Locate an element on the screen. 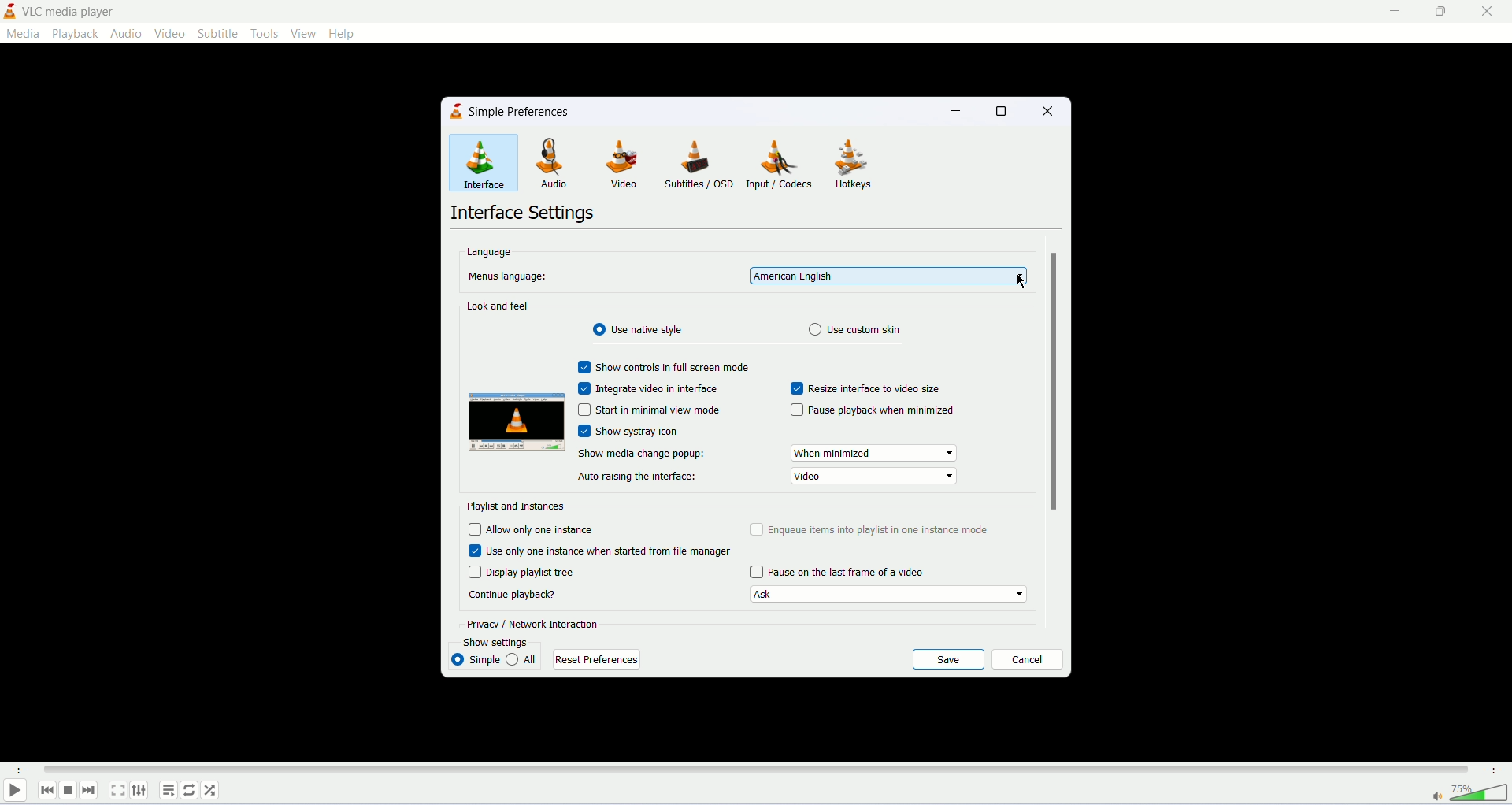 The height and width of the screenshot is (805, 1512). show media change popup is located at coordinates (642, 454).